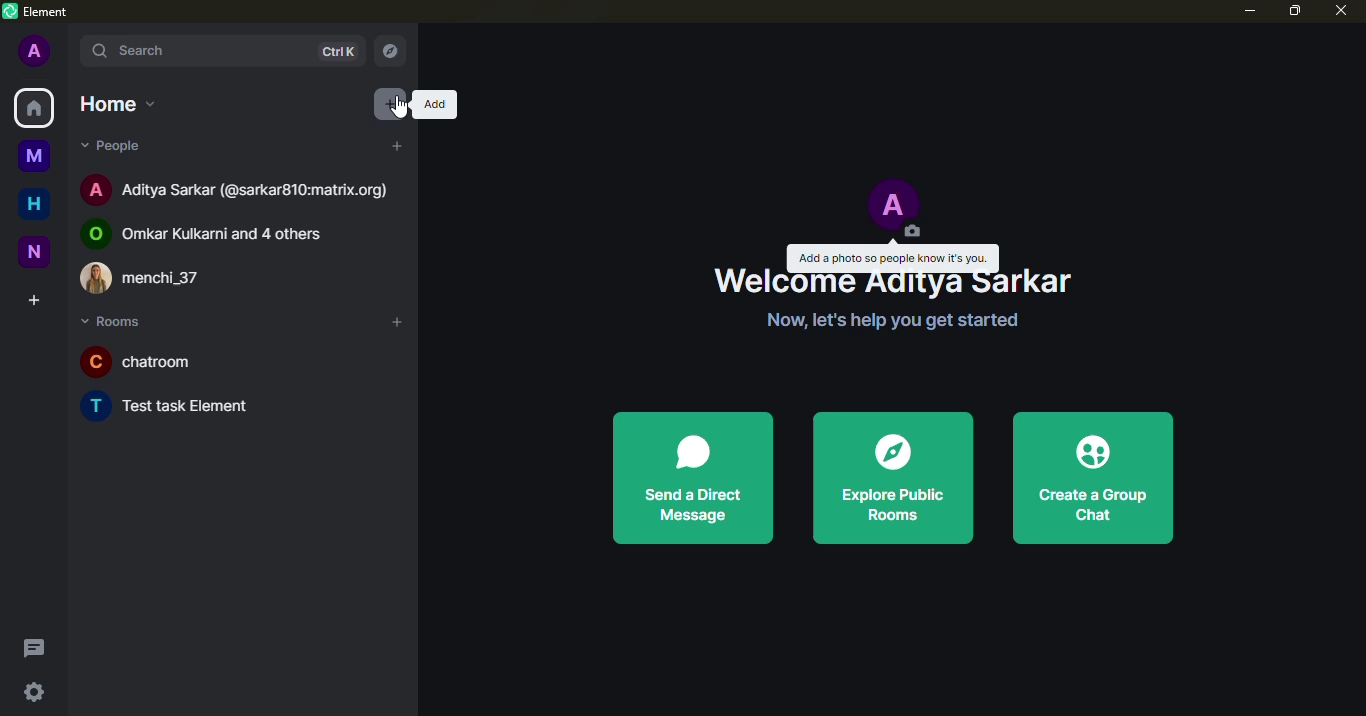 The width and height of the screenshot is (1366, 716). I want to click on myspace, so click(36, 158).